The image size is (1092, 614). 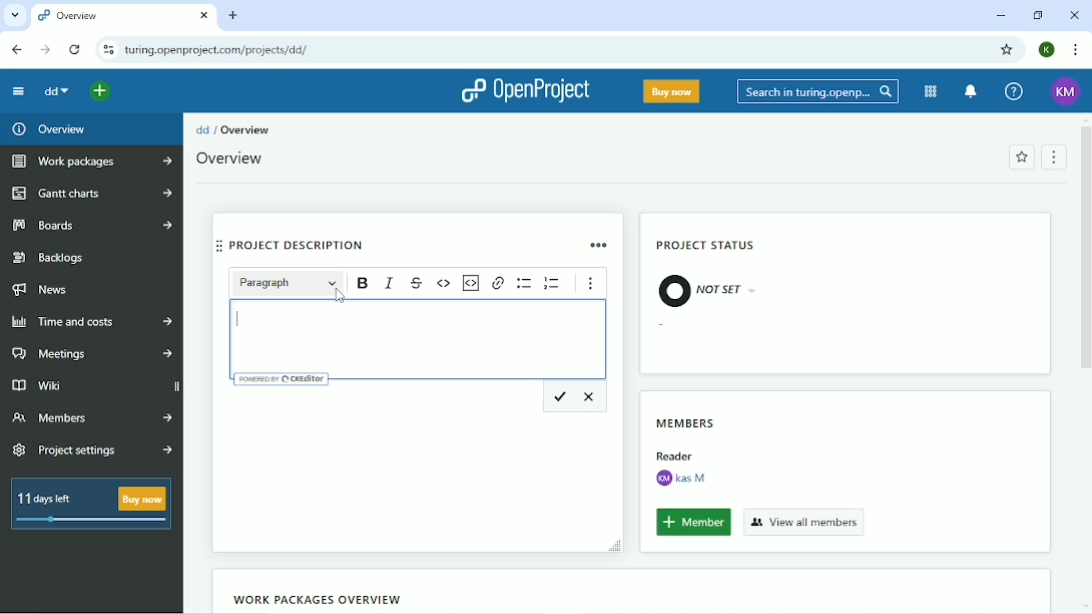 What do you see at coordinates (707, 289) in the screenshot?
I see `not set` at bounding box center [707, 289].